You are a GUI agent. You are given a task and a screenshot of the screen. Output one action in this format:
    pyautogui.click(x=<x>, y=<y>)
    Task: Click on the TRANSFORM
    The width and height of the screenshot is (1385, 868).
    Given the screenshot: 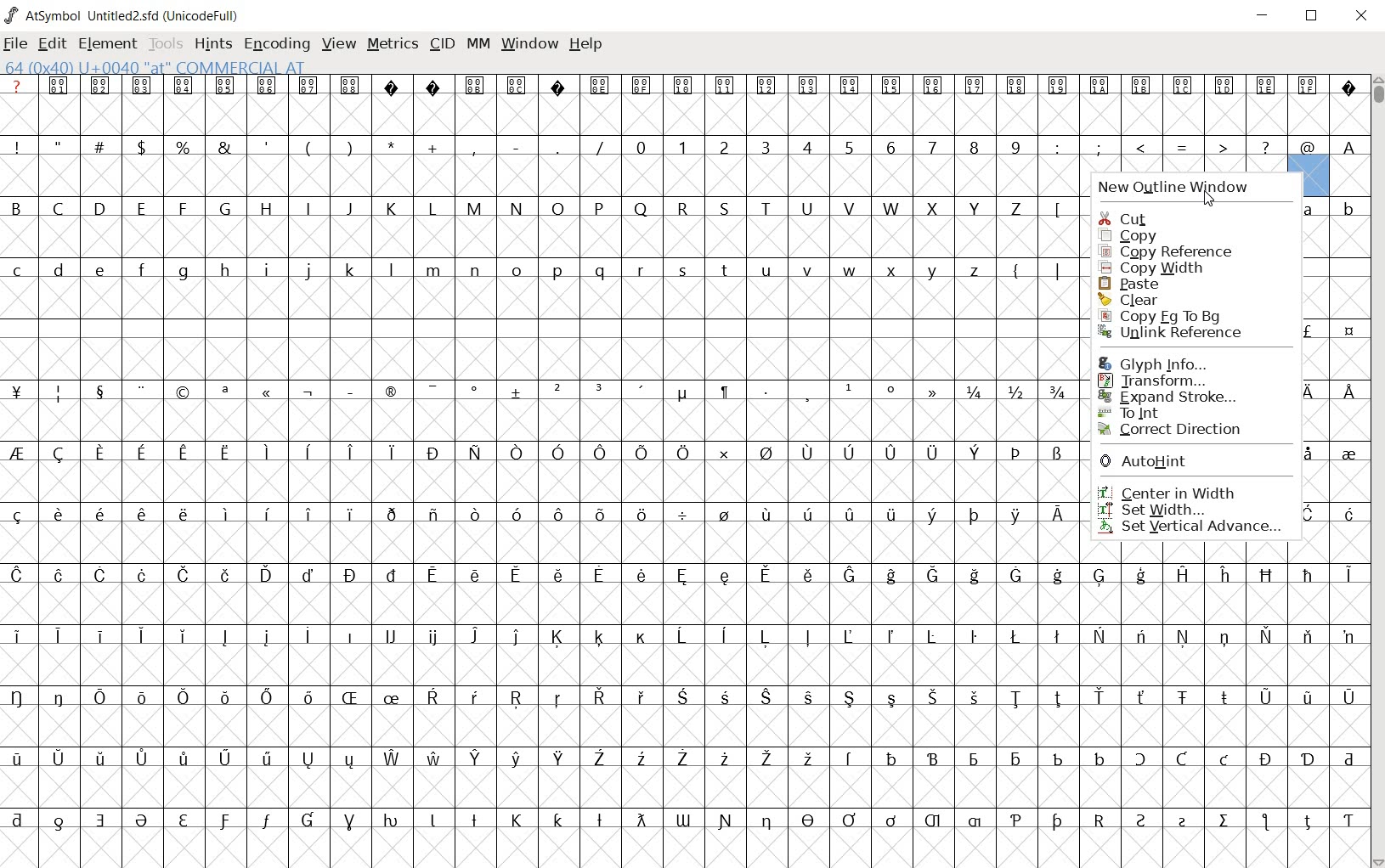 What is the action you would take?
    pyautogui.click(x=1157, y=380)
    